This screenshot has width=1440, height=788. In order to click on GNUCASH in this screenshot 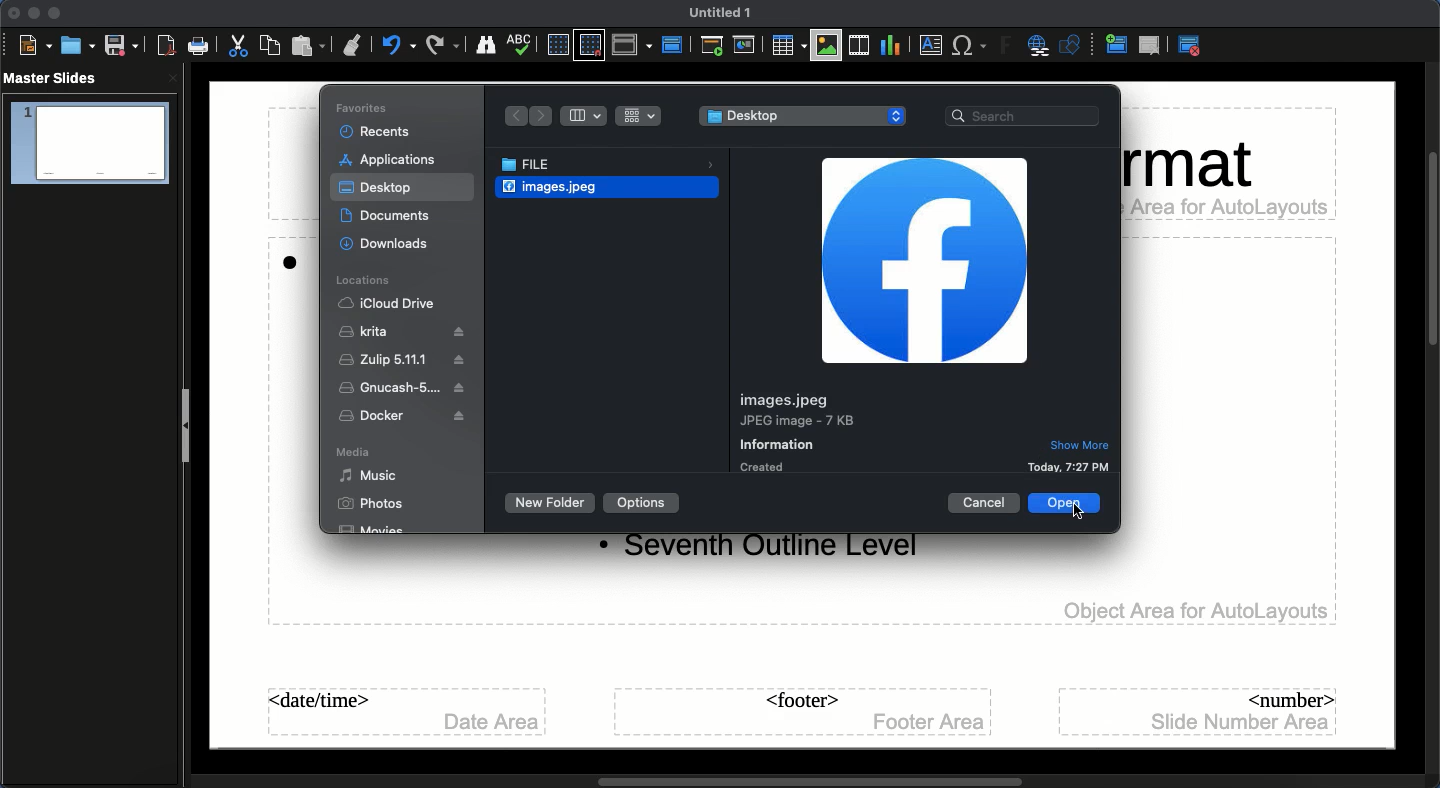, I will do `click(403, 388)`.